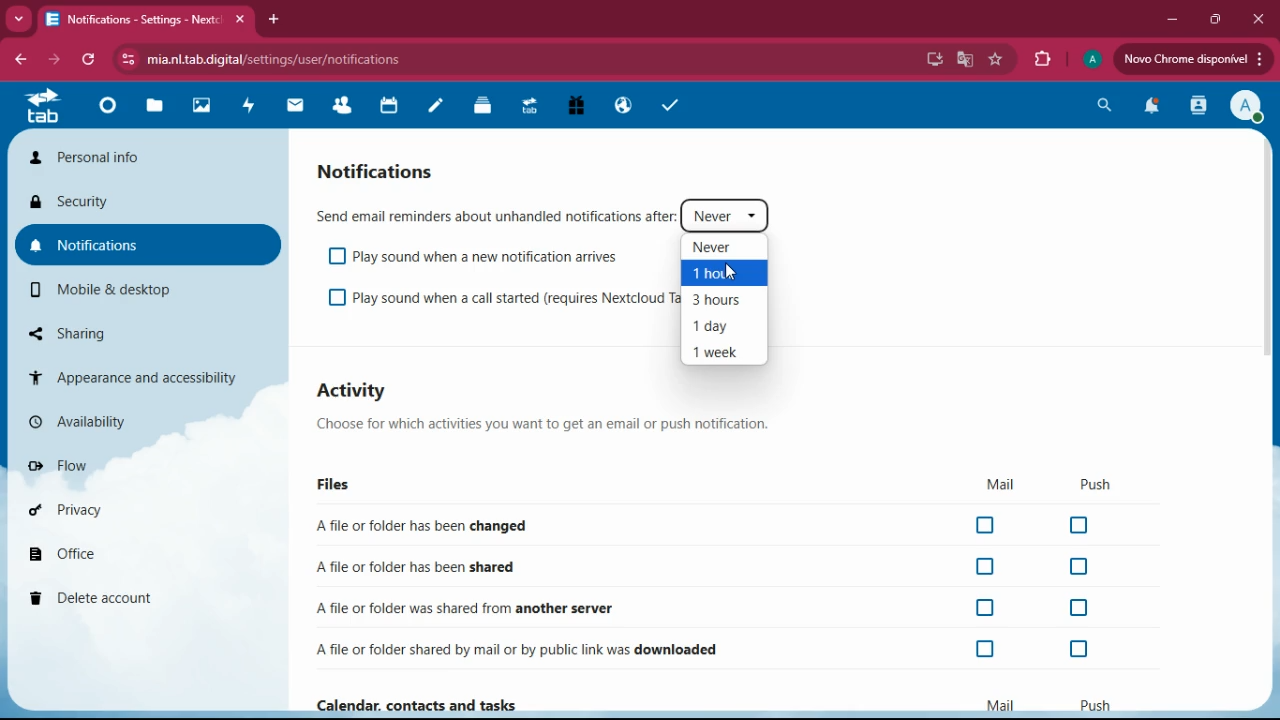 The image size is (1280, 720). What do you see at coordinates (725, 215) in the screenshot?
I see `never` at bounding box center [725, 215].